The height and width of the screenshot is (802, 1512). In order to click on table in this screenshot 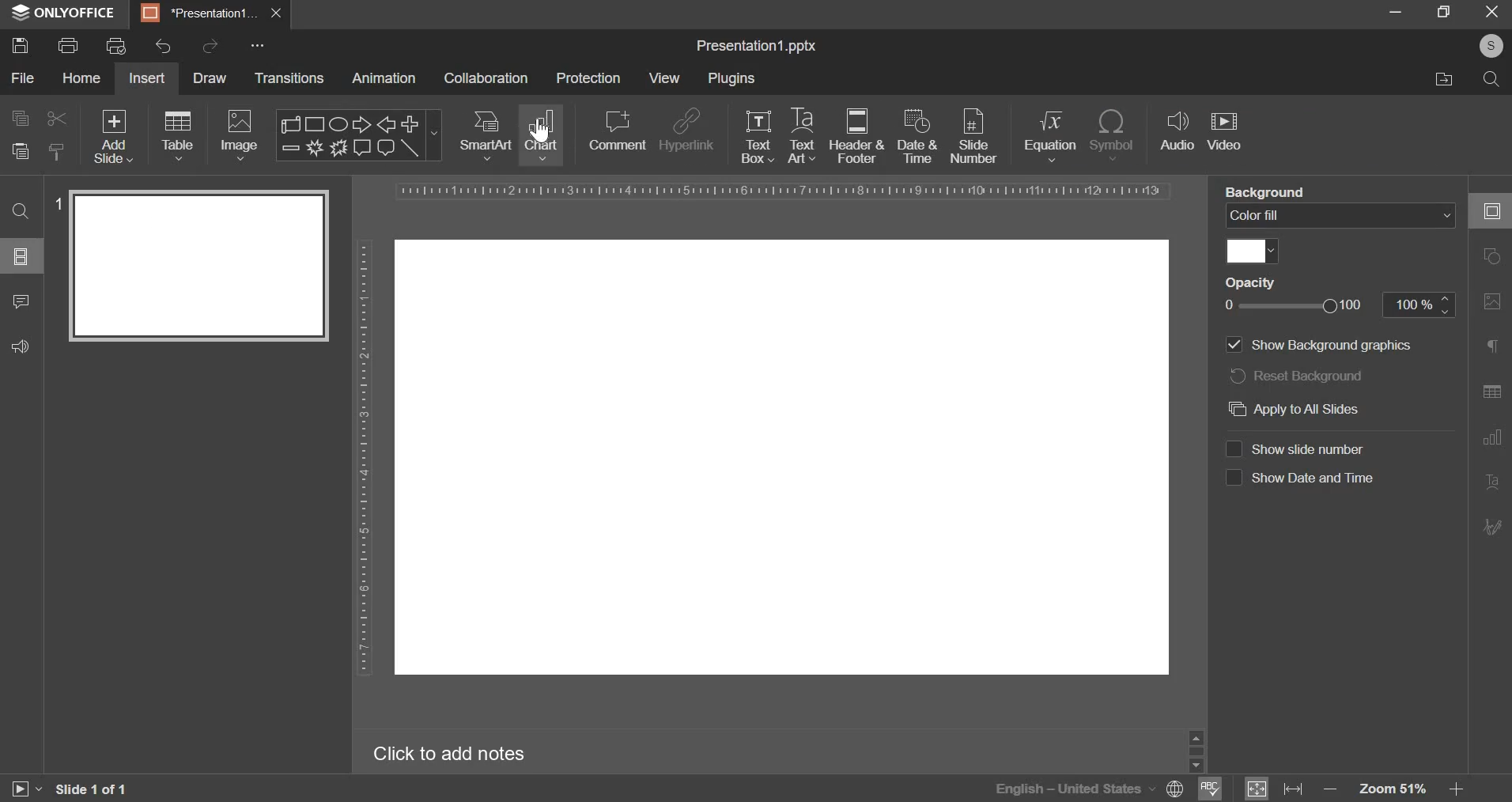, I will do `click(176, 134)`.